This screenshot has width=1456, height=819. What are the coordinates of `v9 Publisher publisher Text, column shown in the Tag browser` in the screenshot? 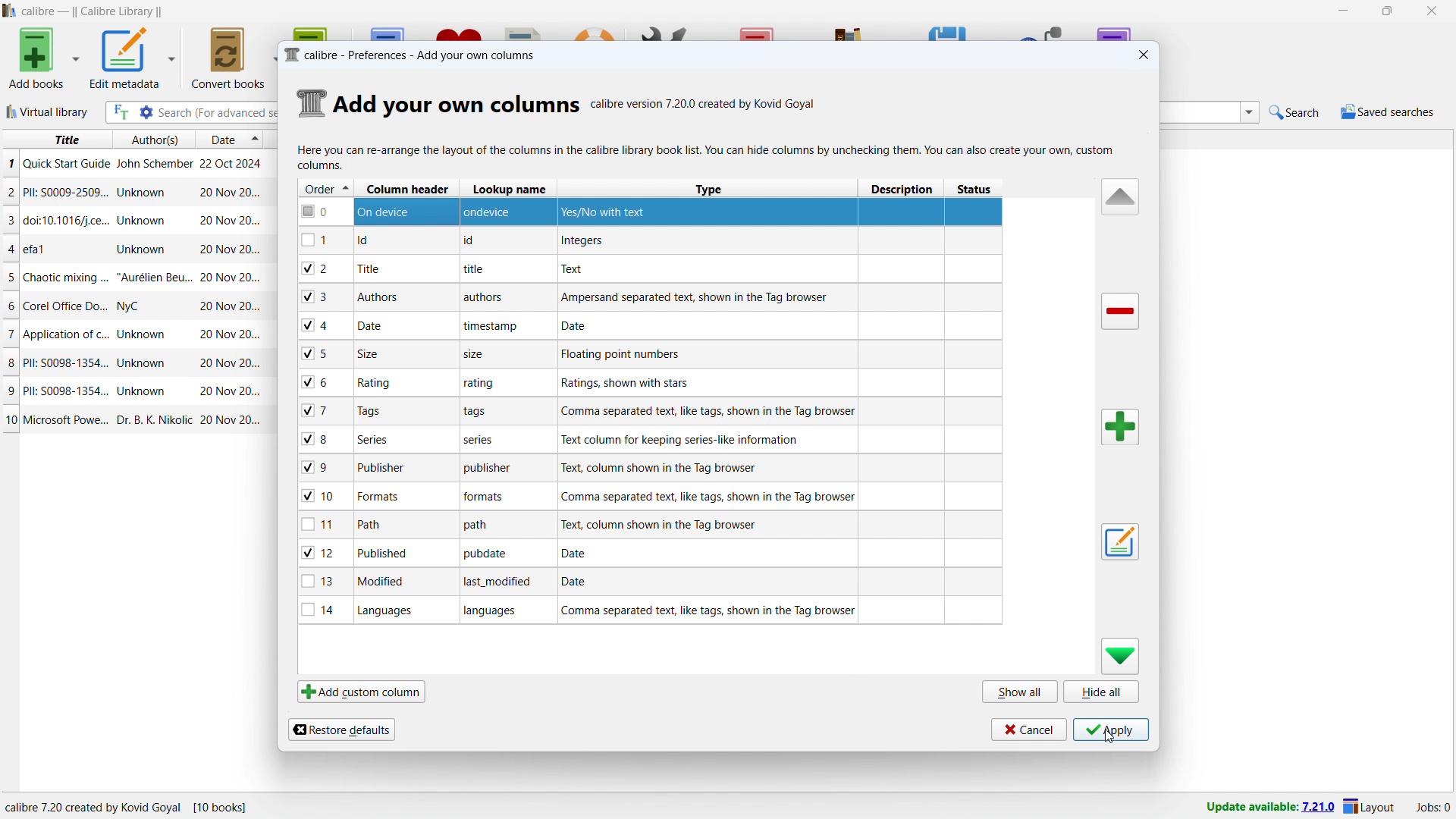 It's located at (646, 466).